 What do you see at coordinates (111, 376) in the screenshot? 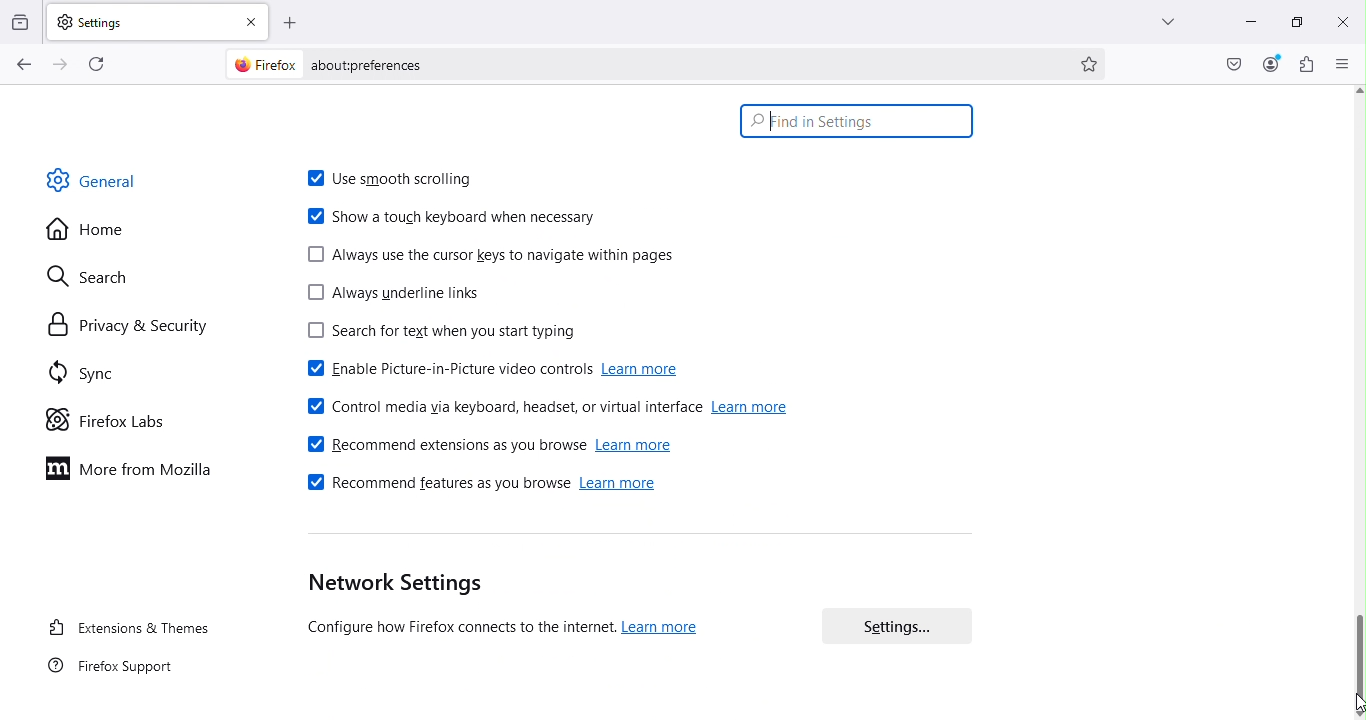
I see `Sync` at bounding box center [111, 376].